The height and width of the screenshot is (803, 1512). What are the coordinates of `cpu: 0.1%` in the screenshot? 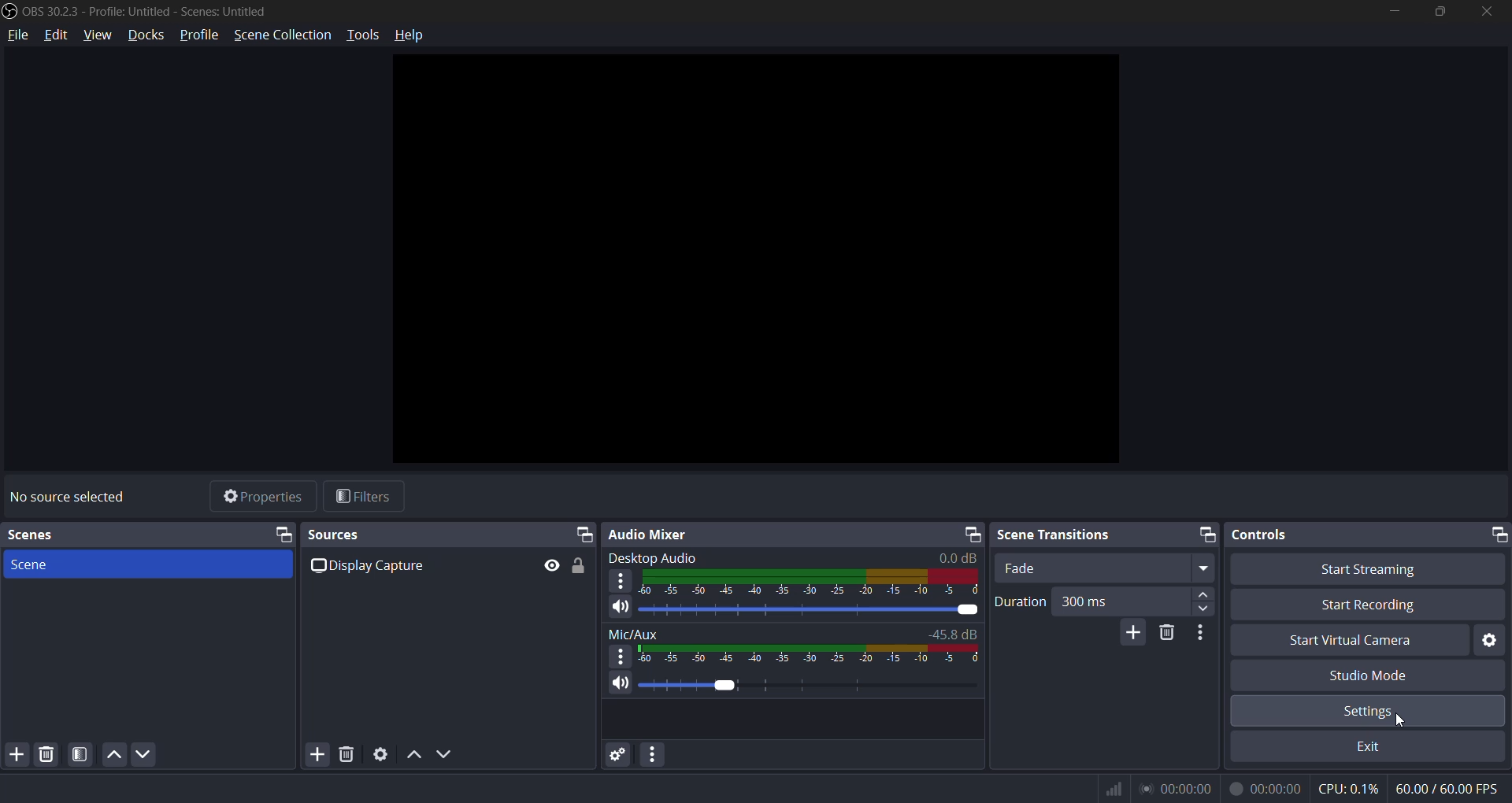 It's located at (1349, 790).